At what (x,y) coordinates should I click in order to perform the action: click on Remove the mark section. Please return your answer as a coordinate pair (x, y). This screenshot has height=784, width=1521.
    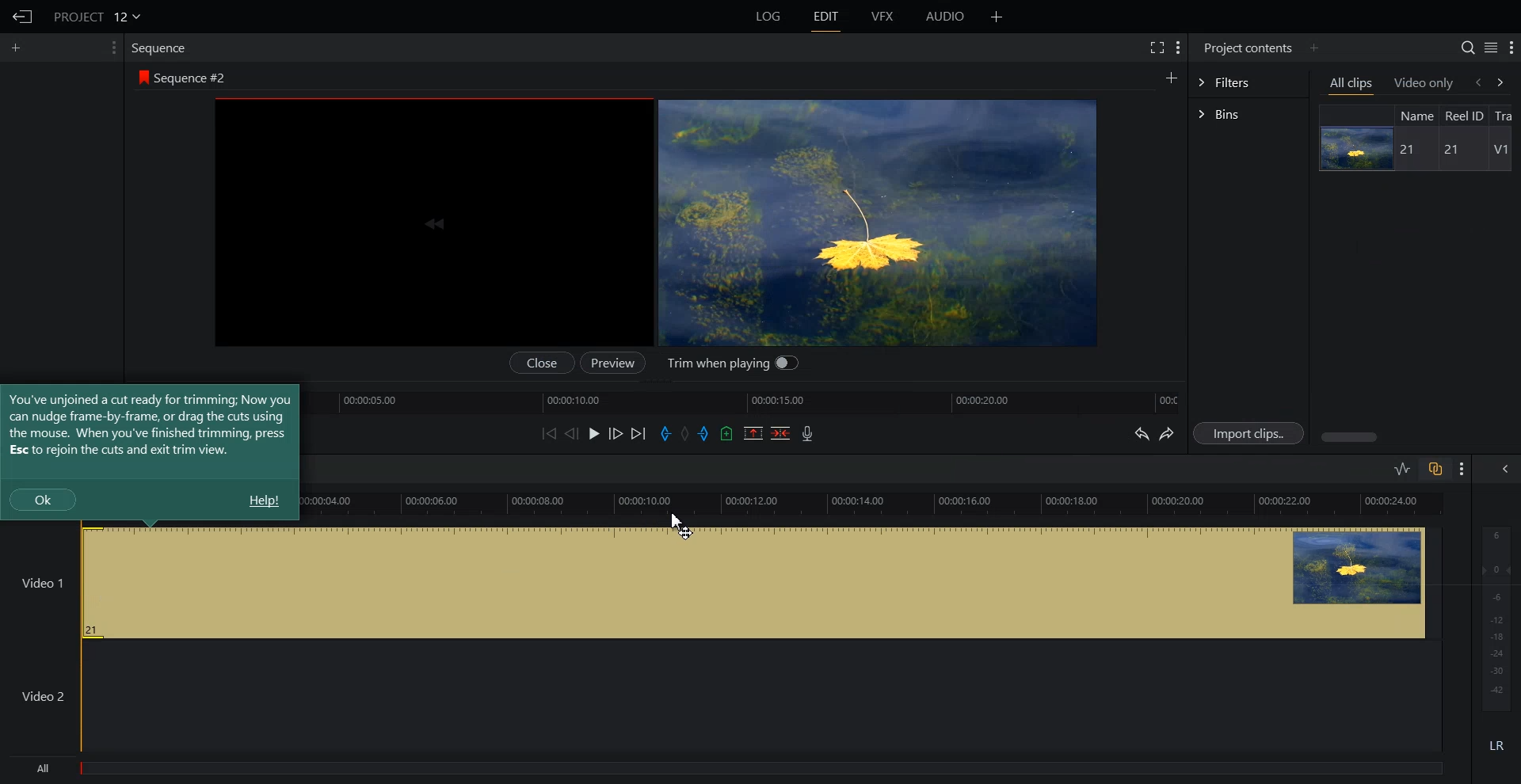
    Looking at the image, I should click on (753, 433).